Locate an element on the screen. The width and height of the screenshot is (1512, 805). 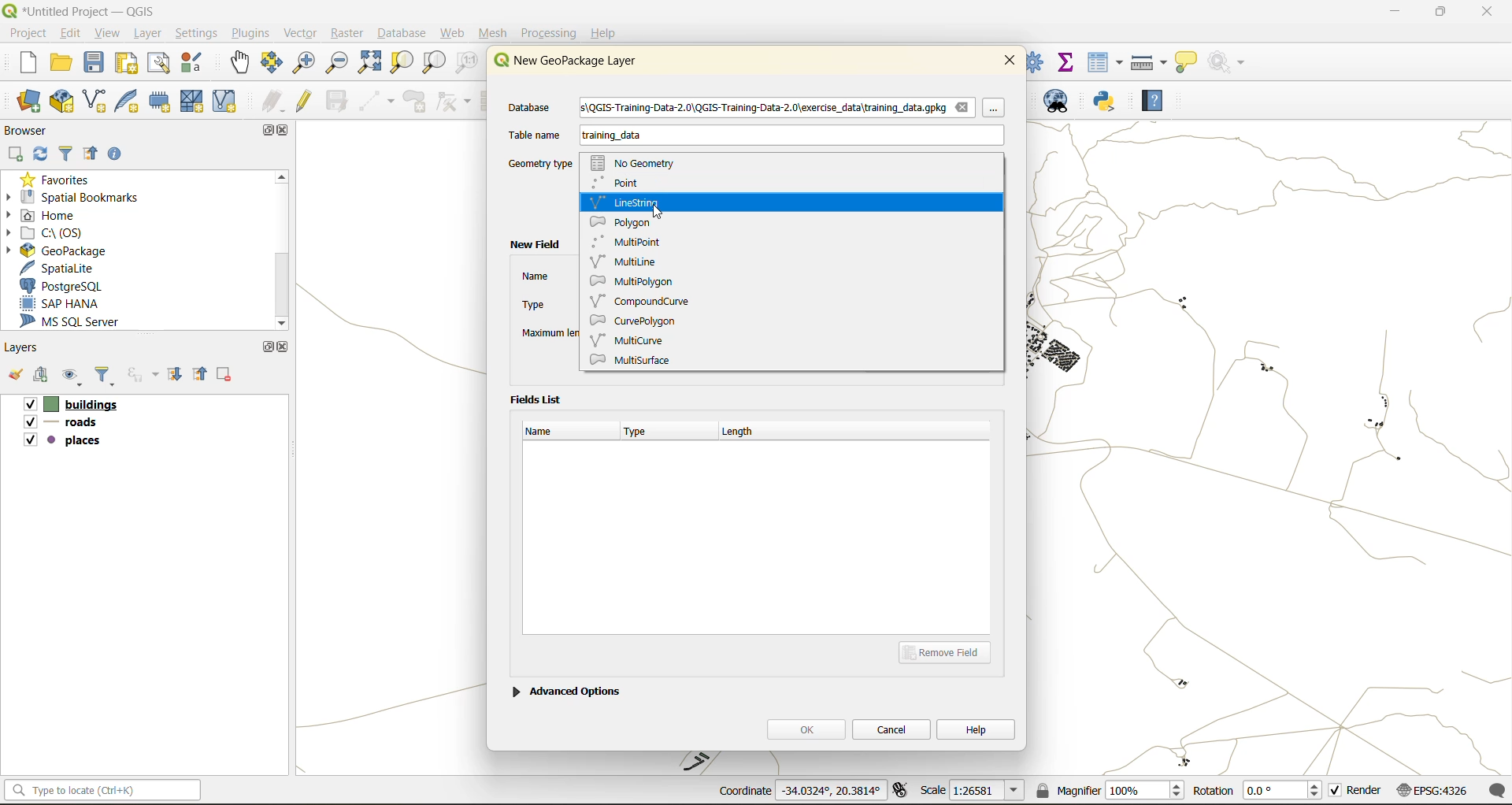
show tips is located at coordinates (1187, 63).